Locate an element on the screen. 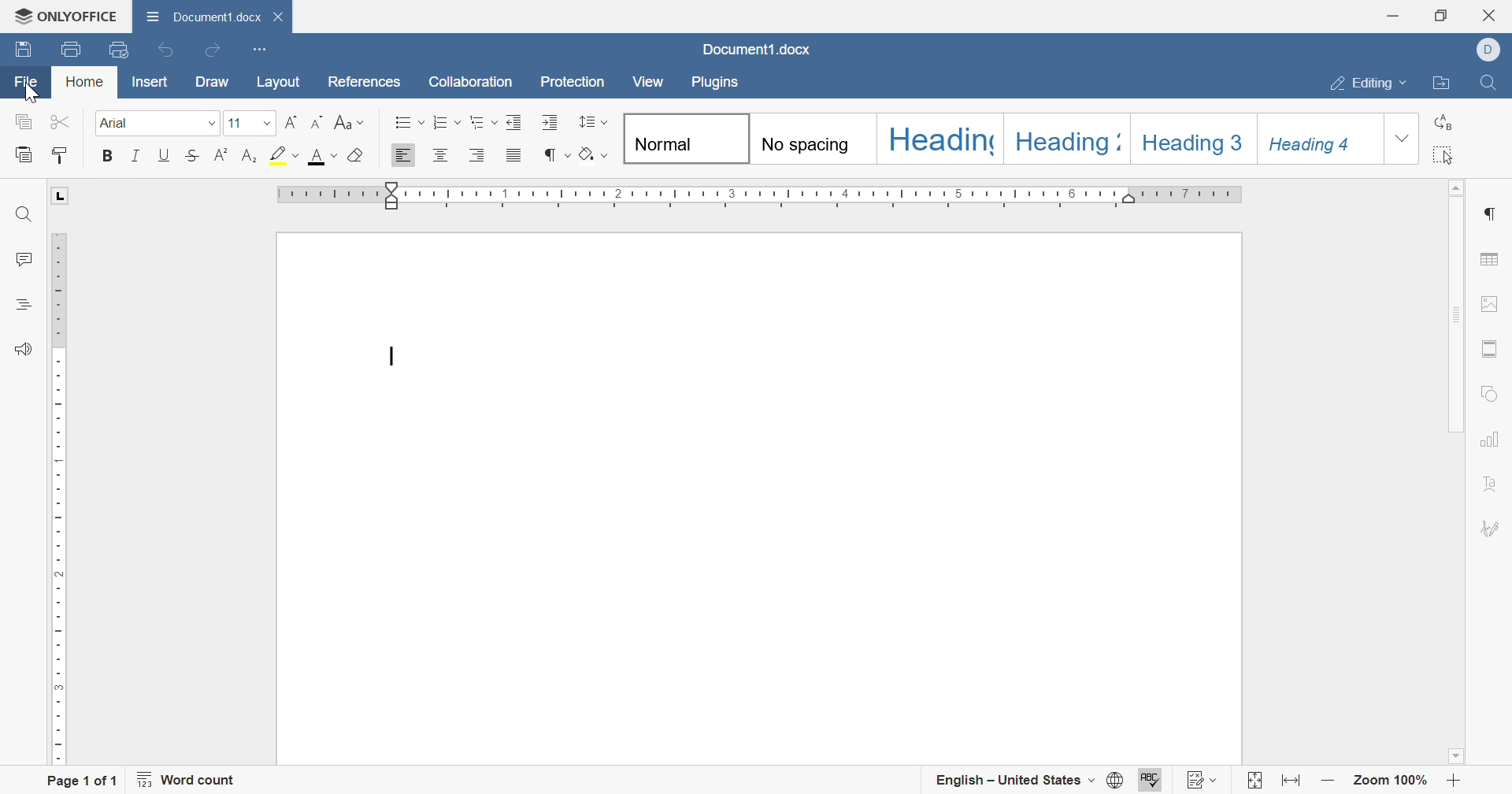 This screenshot has width=1512, height=794. shape settings is located at coordinates (1493, 394).